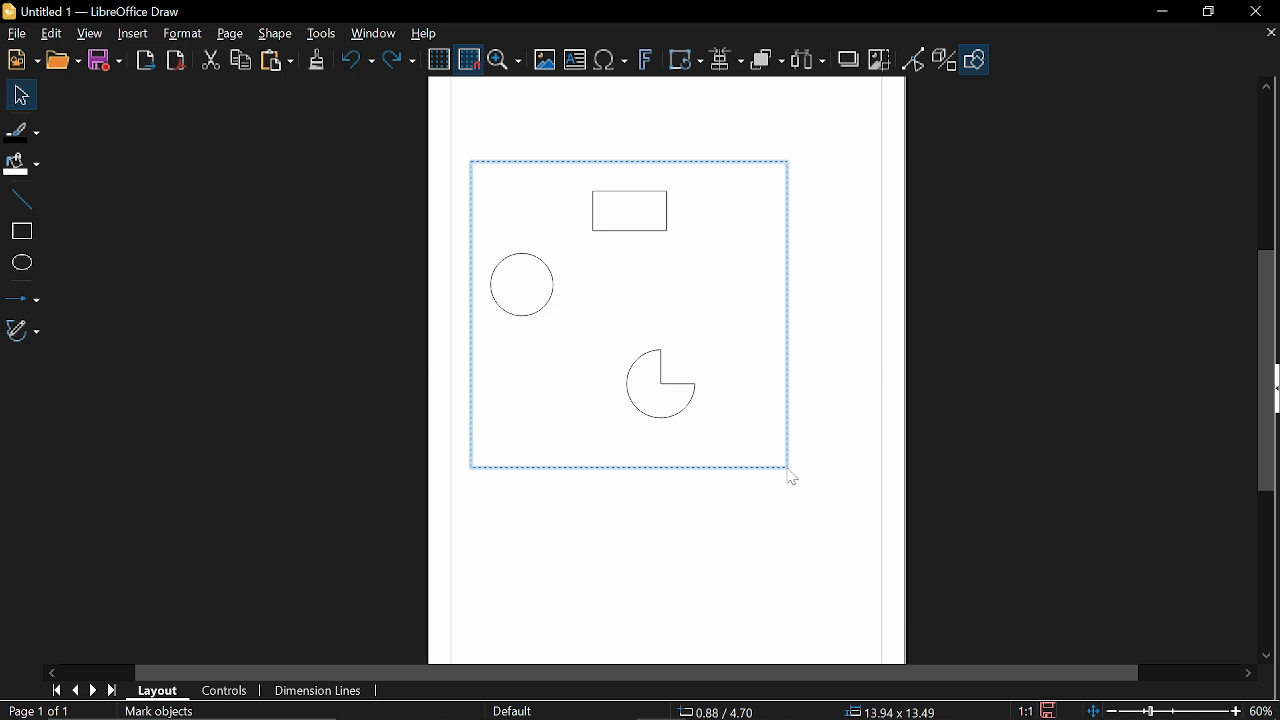 This screenshot has width=1280, height=720. Describe the element at coordinates (544, 60) in the screenshot. I see `Insert image` at that location.